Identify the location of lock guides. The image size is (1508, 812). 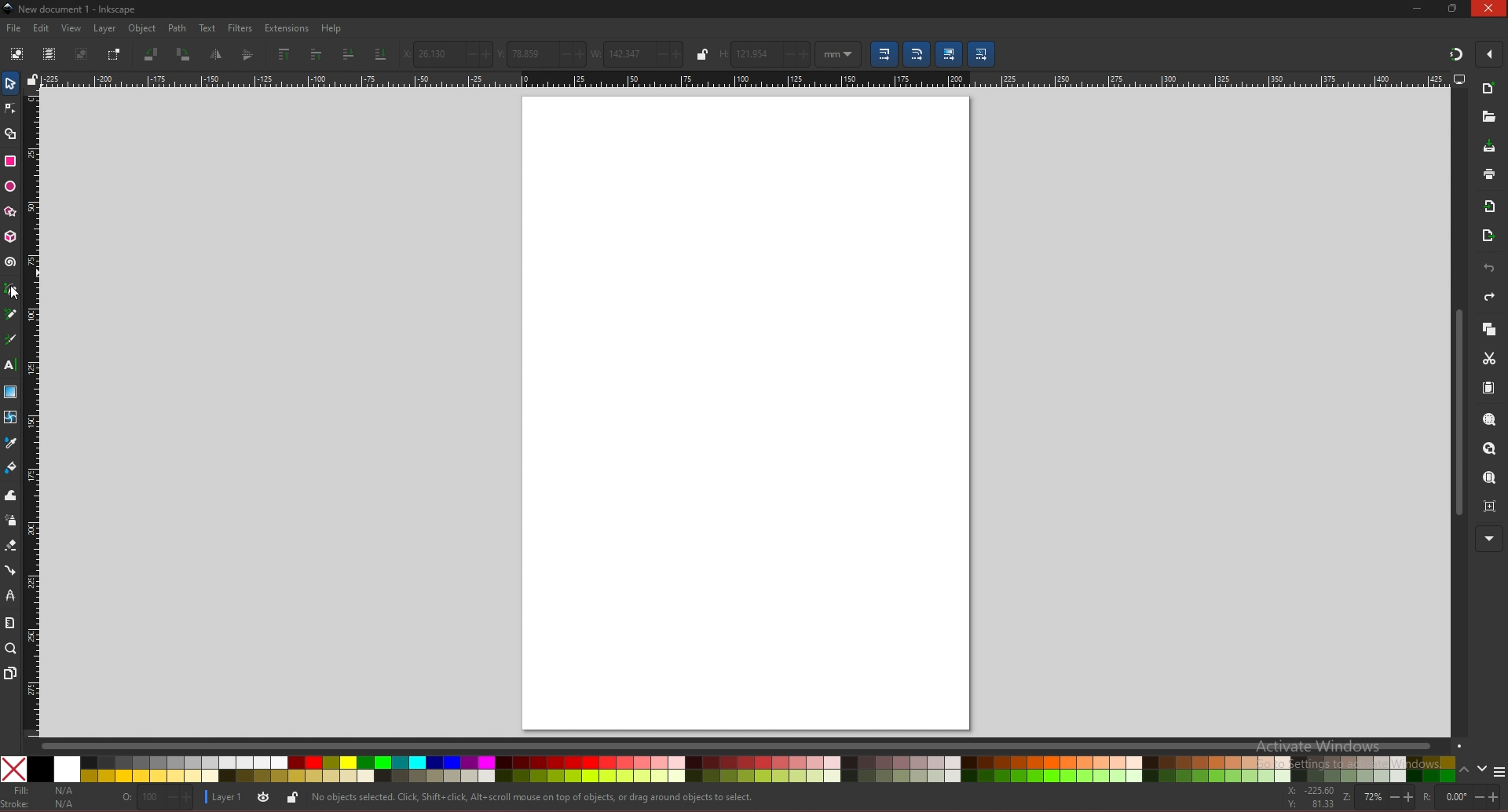
(32, 79).